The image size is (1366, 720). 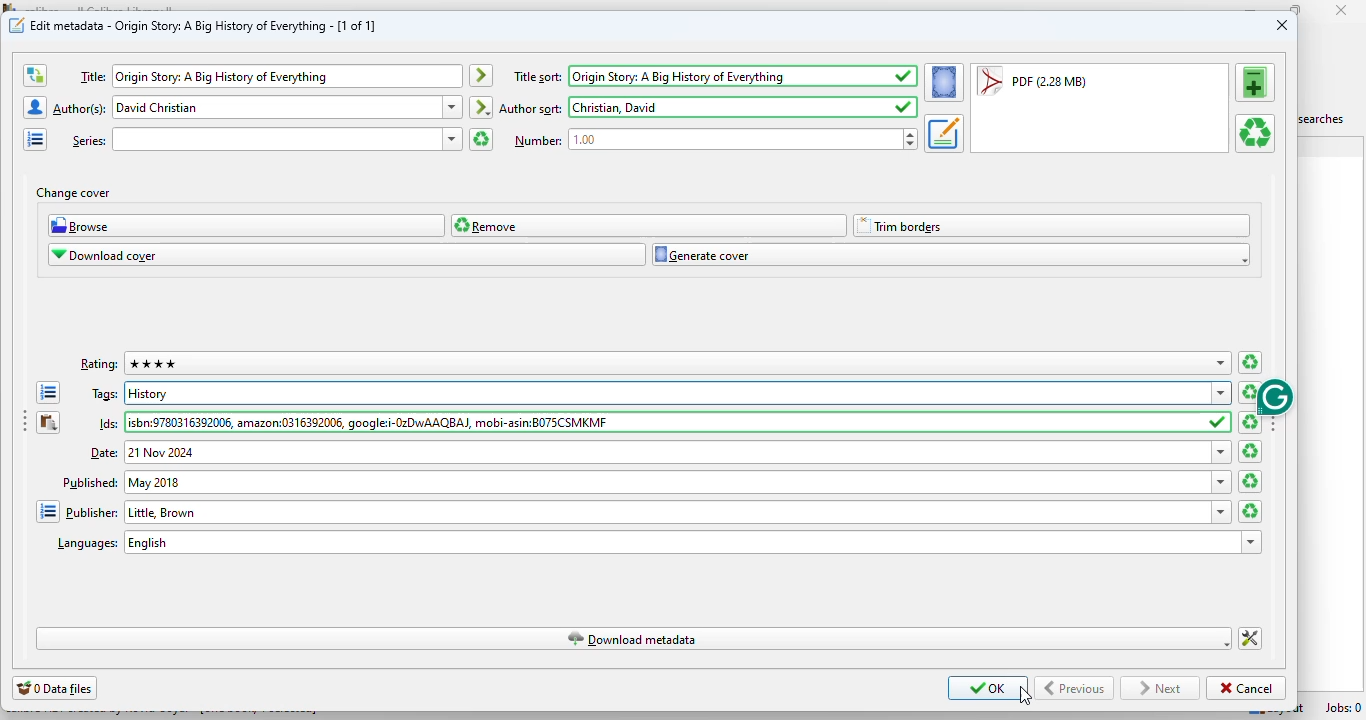 What do you see at coordinates (34, 107) in the screenshot?
I see `open the manage authors editor` at bounding box center [34, 107].